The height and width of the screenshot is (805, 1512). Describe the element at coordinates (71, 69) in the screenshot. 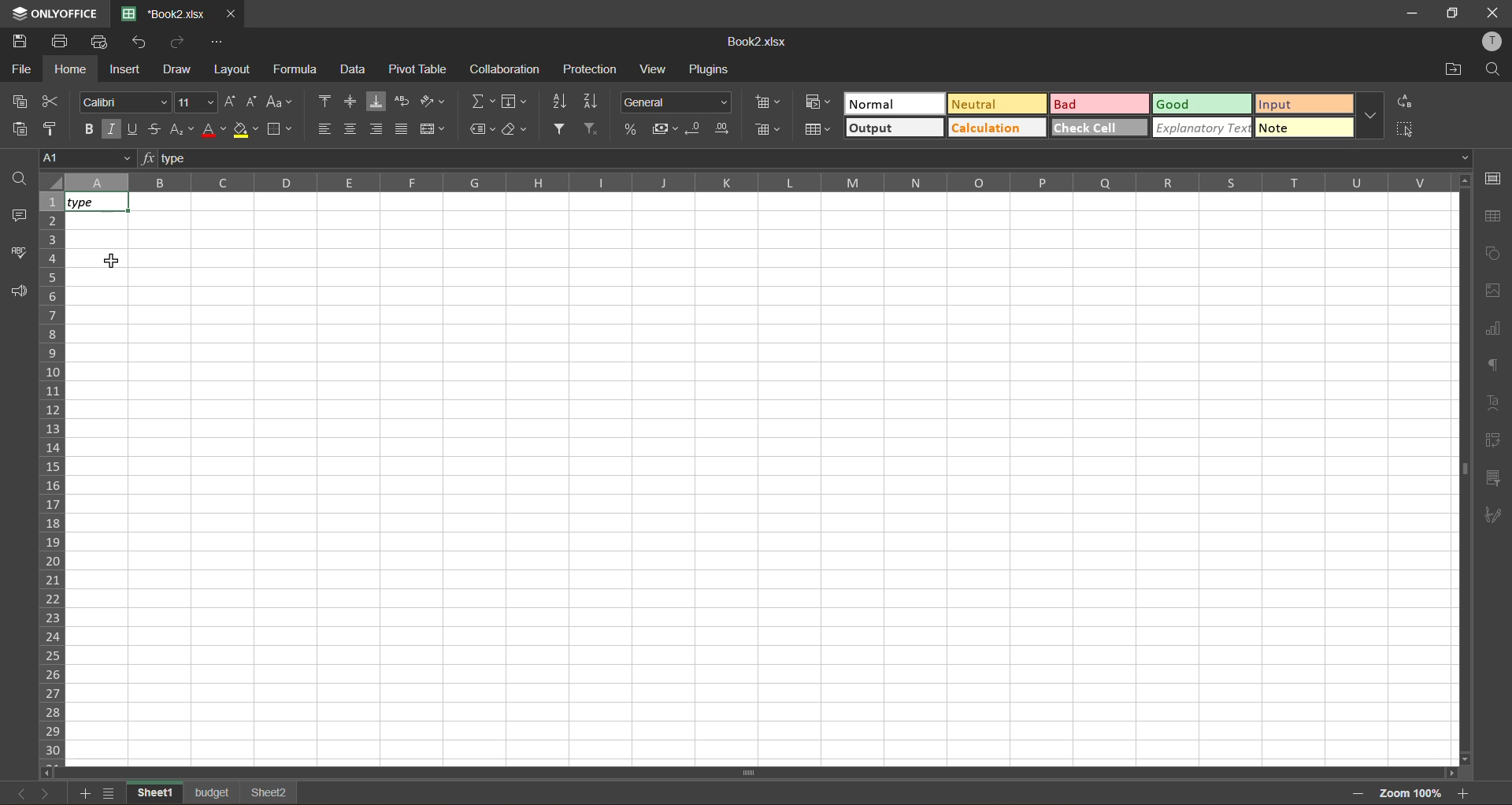

I see `home` at that location.